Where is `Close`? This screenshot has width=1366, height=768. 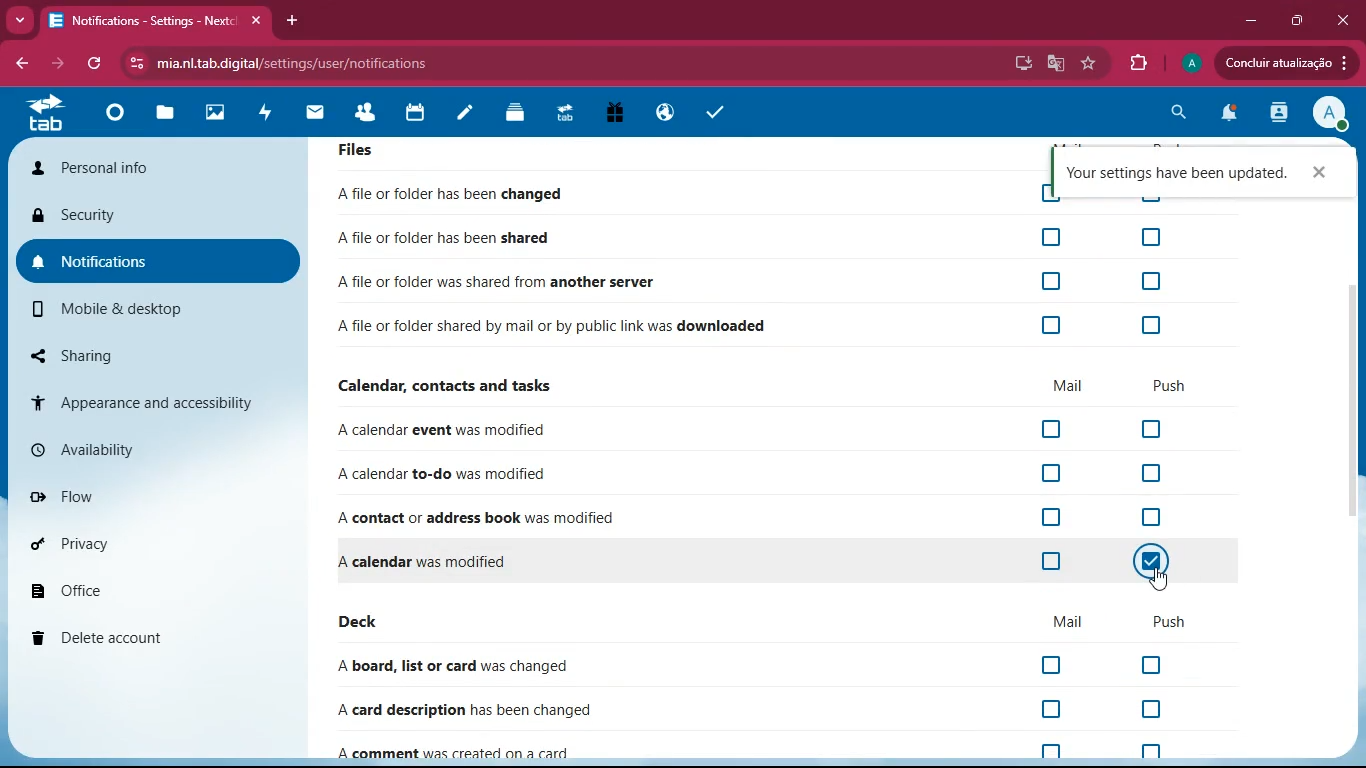 Close is located at coordinates (1344, 19).